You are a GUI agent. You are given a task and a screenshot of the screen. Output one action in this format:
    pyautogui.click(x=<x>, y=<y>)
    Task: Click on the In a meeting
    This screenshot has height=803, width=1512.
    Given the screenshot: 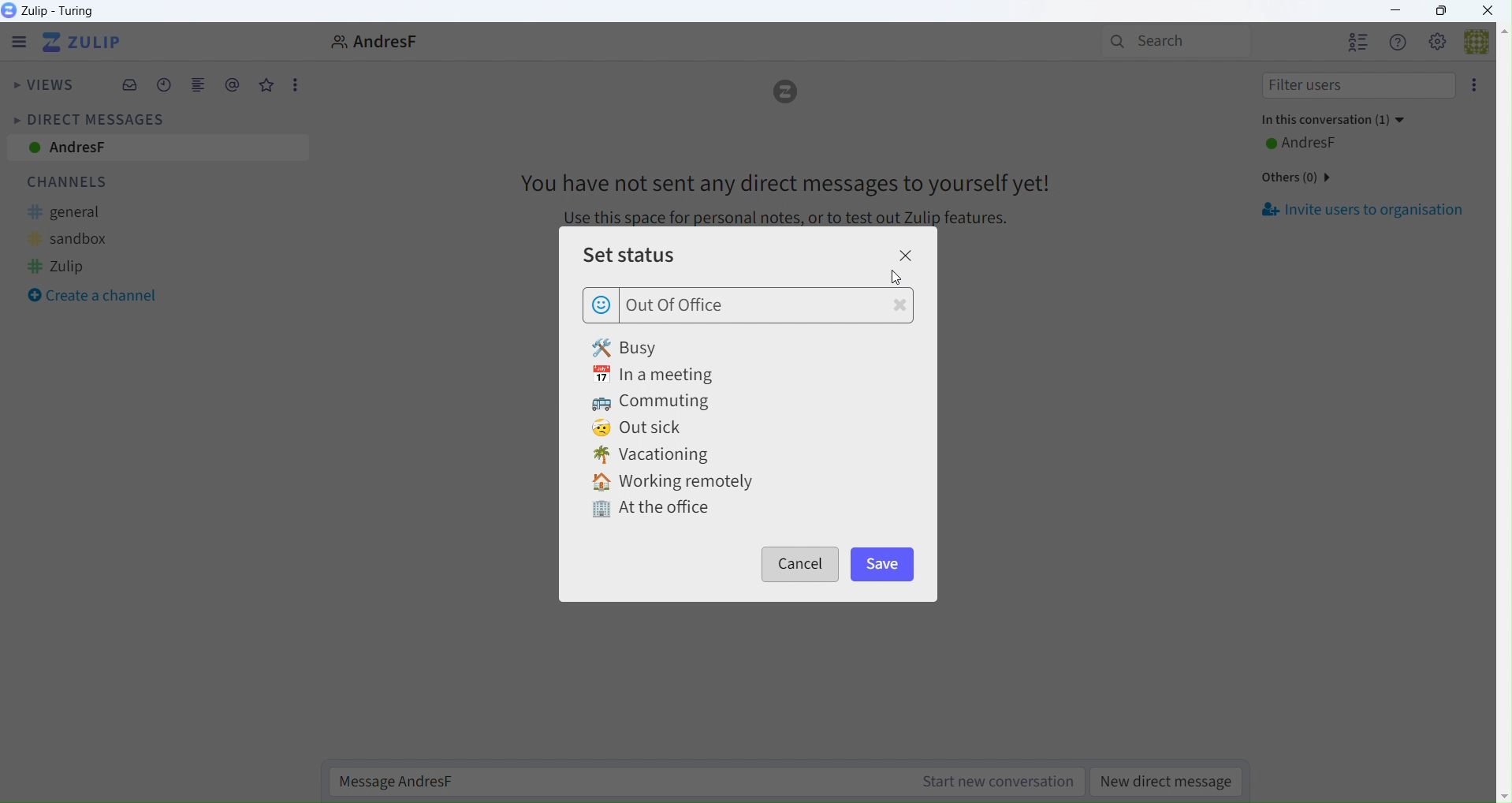 What is the action you would take?
    pyautogui.click(x=654, y=374)
    